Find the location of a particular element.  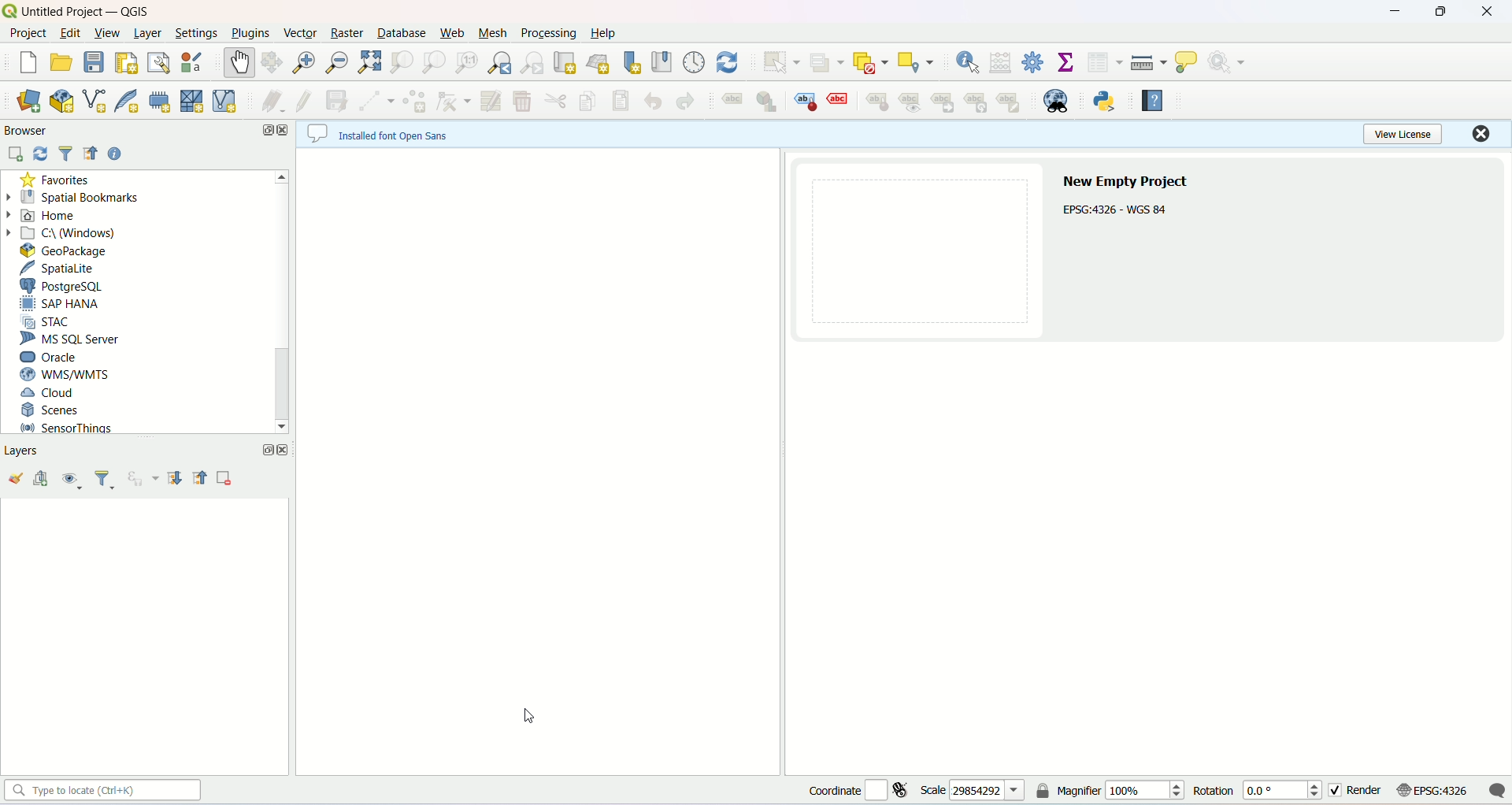

cursor is located at coordinates (528, 717).